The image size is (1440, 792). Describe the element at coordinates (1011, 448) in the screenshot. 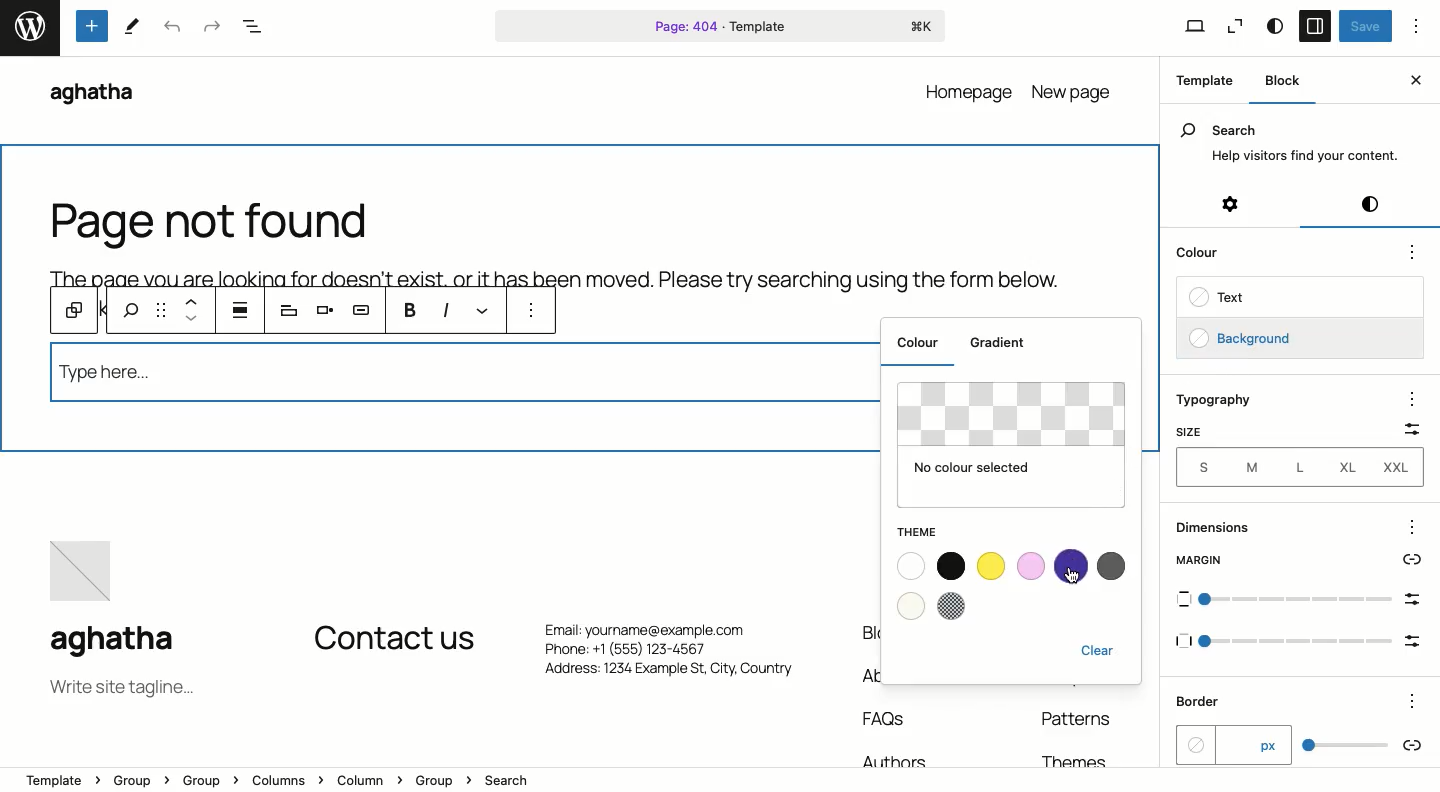

I see `No color selected` at that location.